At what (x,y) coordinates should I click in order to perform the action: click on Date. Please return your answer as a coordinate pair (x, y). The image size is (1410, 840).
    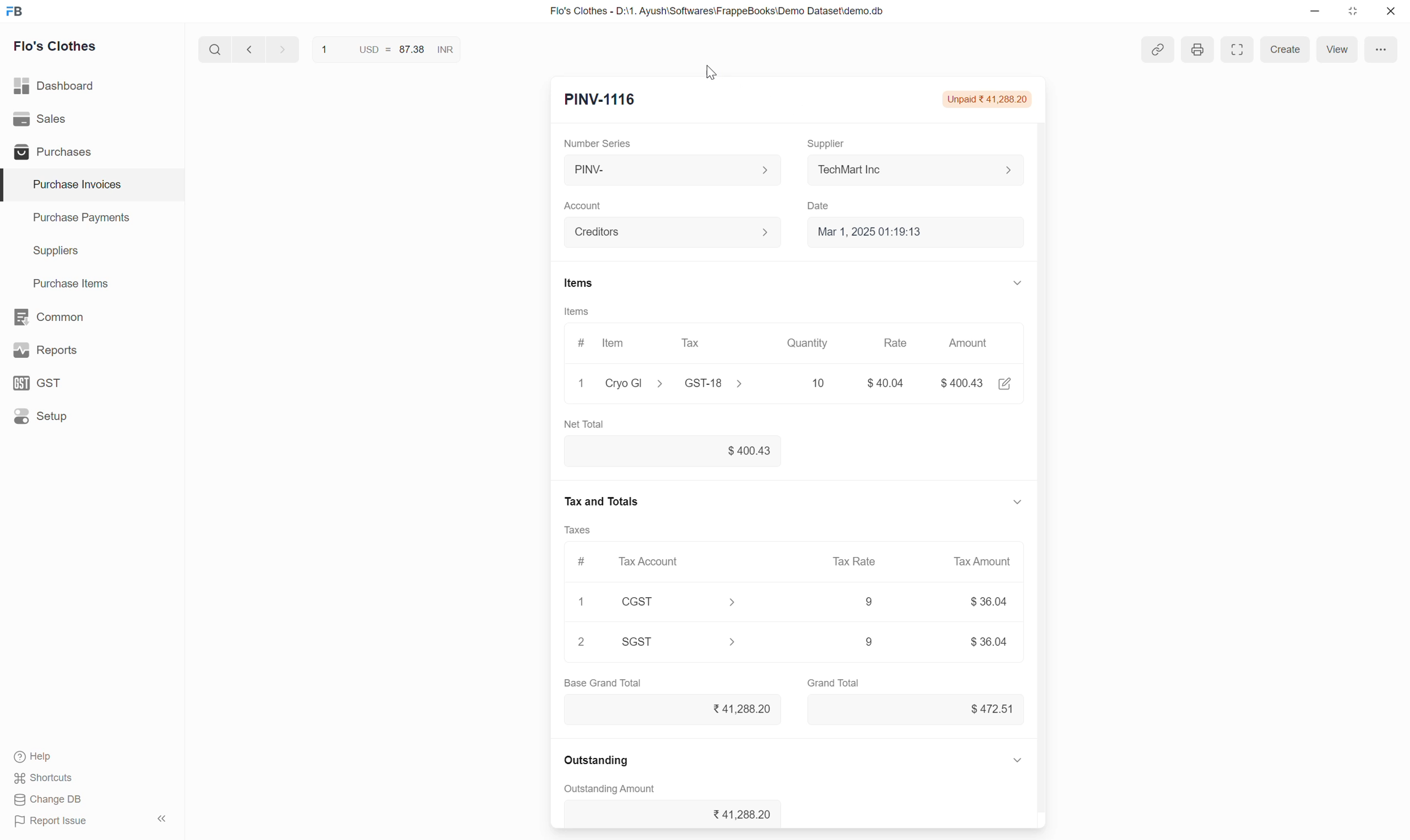
    Looking at the image, I should click on (824, 203).